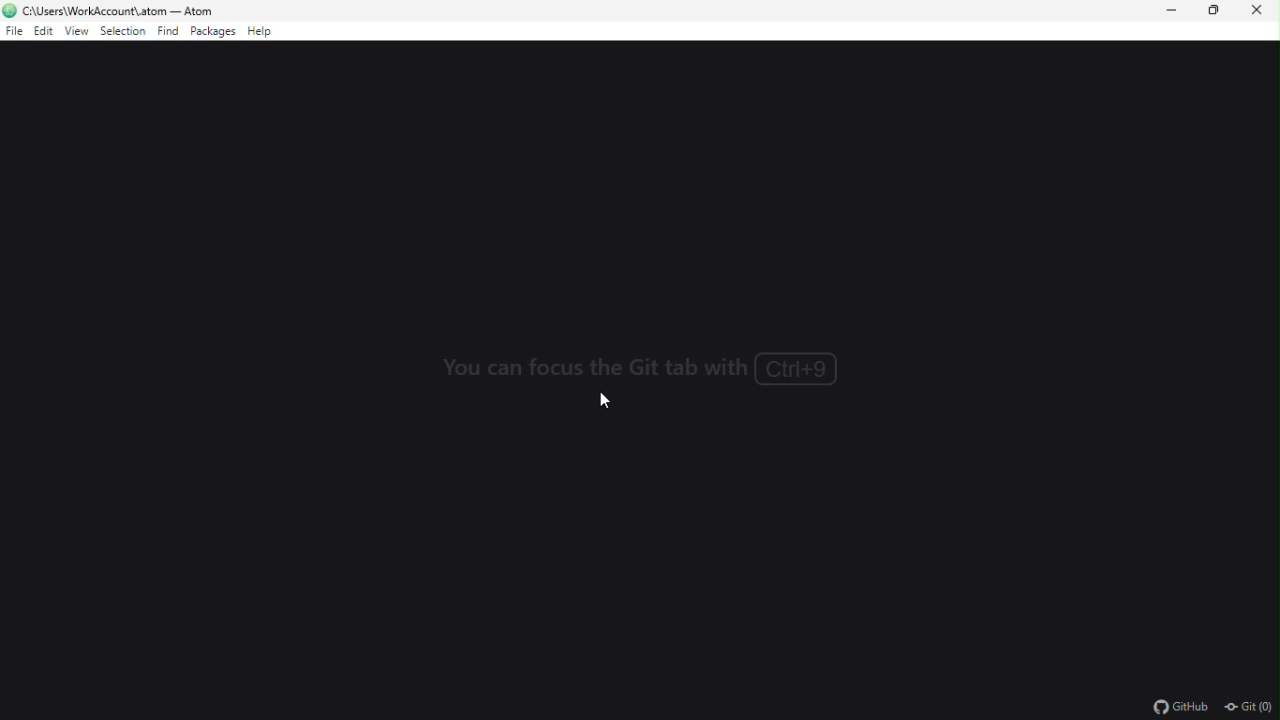 This screenshot has height=720, width=1280. I want to click on selection, so click(123, 33).